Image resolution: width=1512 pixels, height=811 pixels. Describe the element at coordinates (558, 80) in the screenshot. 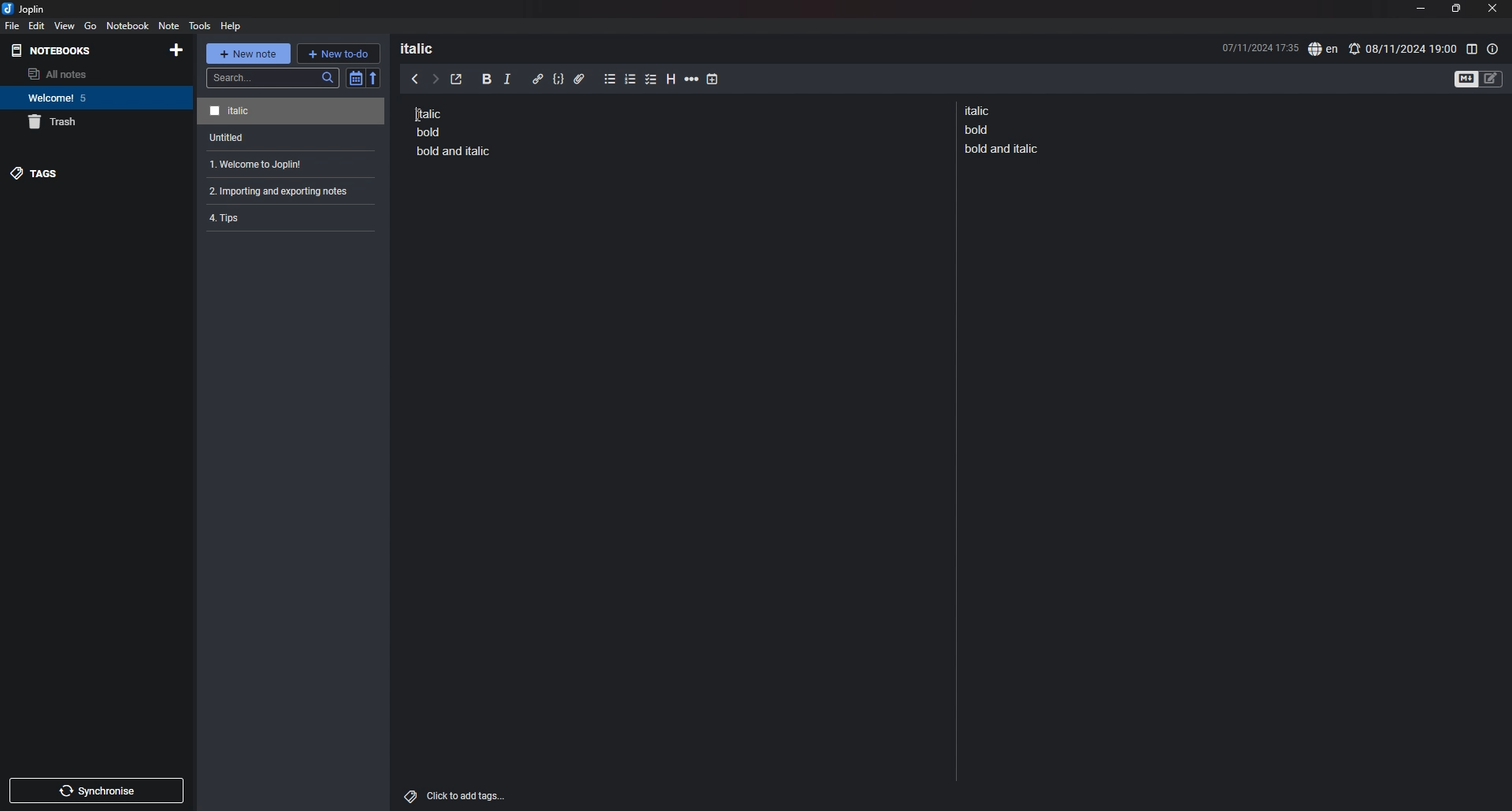

I see `code` at that location.